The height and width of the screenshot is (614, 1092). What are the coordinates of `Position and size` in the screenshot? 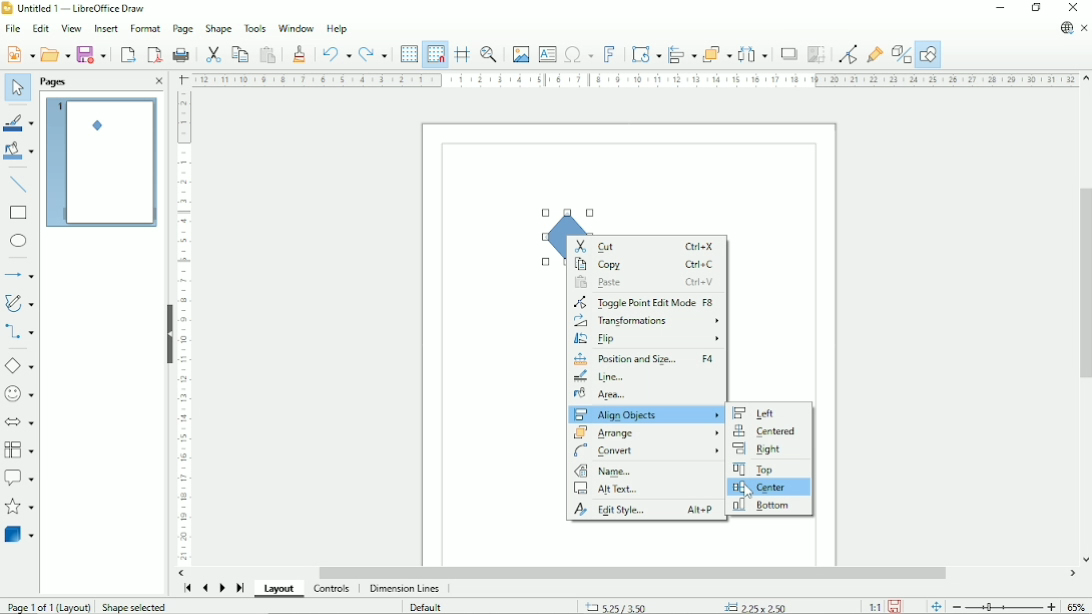 It's located at (647, 359).